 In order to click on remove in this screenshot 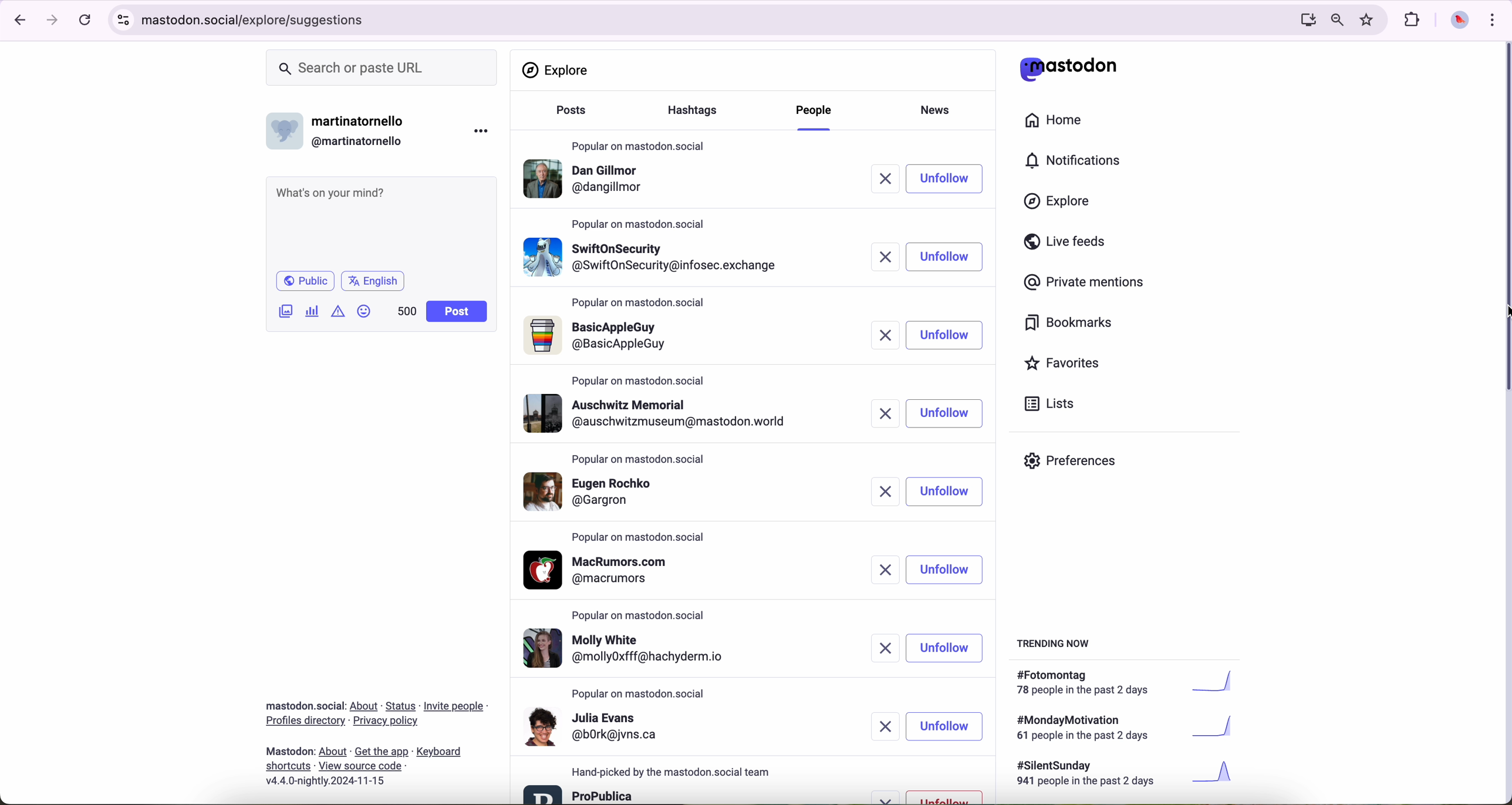, I will do `click(887, 256)`.